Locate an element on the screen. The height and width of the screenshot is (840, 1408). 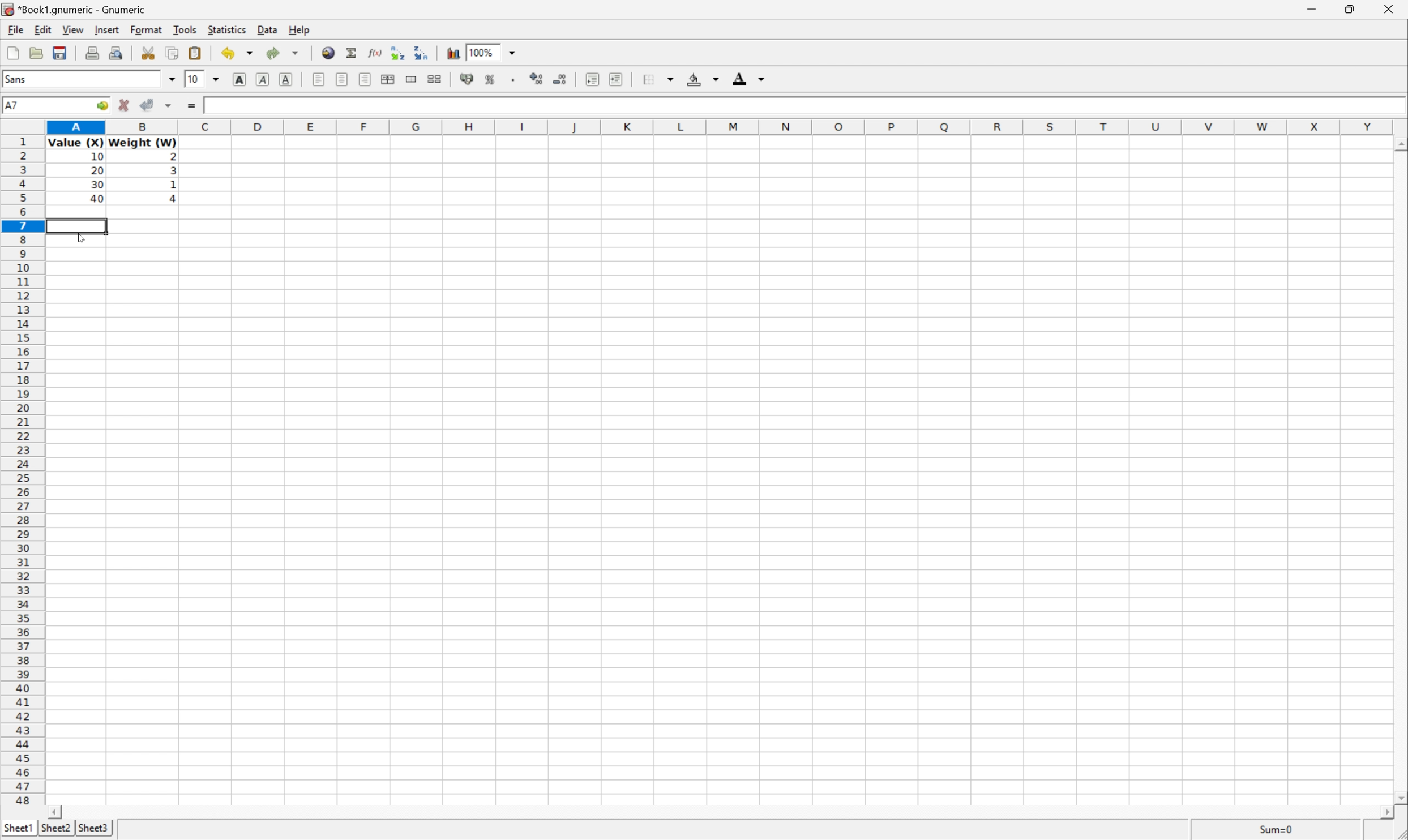
3 is located at coordinates (172, 173).